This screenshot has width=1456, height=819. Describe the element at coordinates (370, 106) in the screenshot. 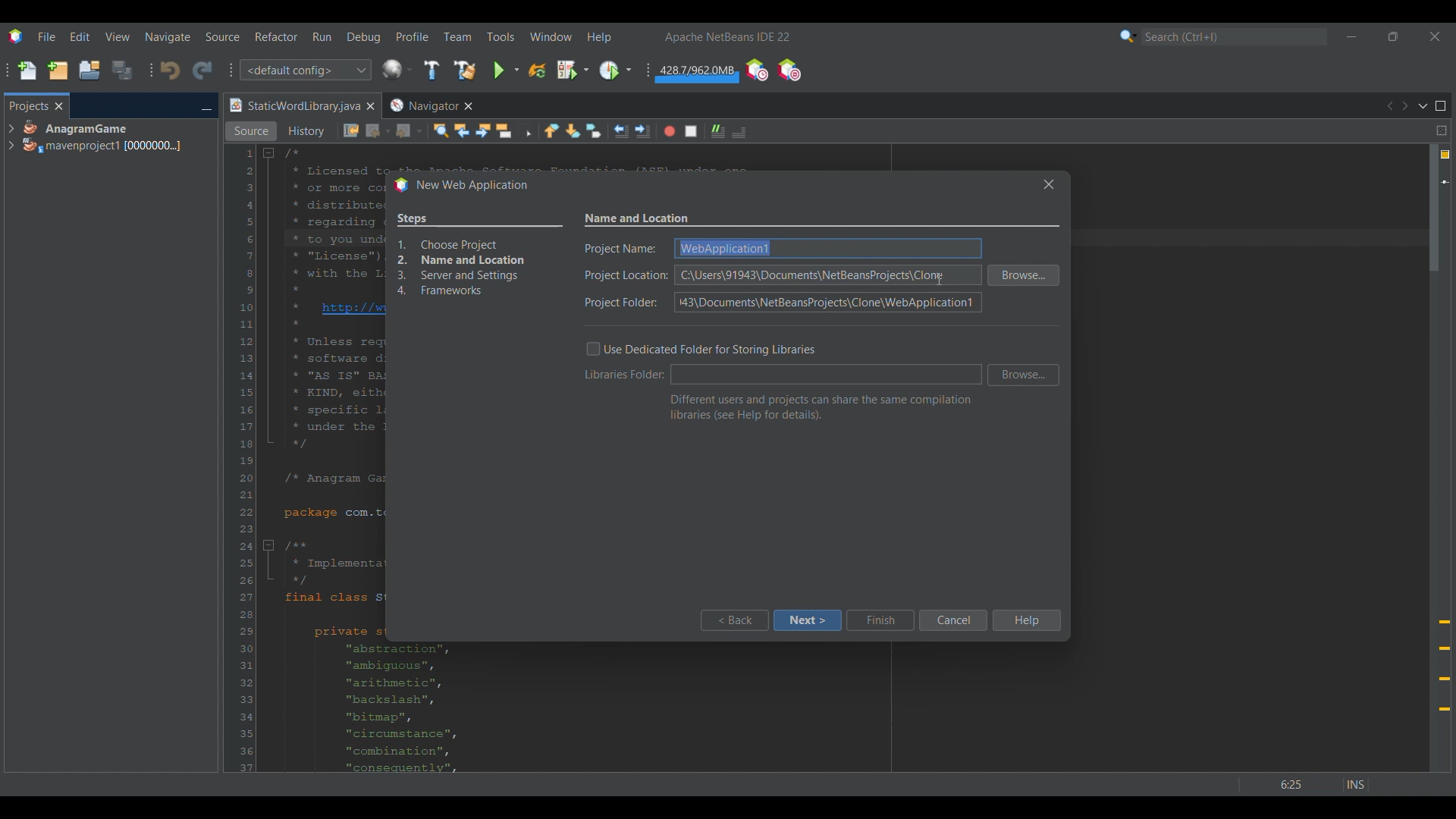

I see `Close` at that location.